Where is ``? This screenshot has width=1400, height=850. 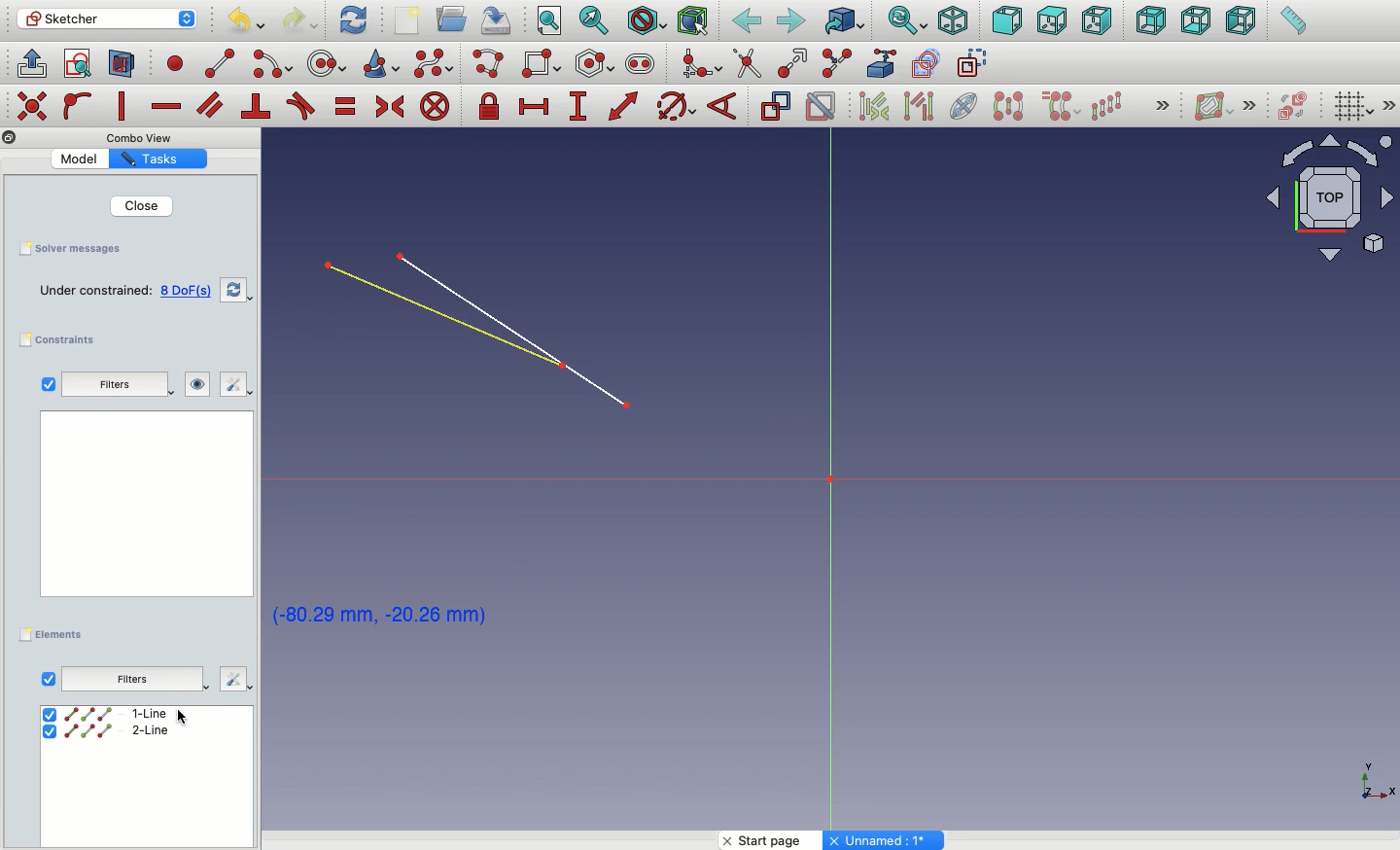
 is located at coordinates (30, 104).